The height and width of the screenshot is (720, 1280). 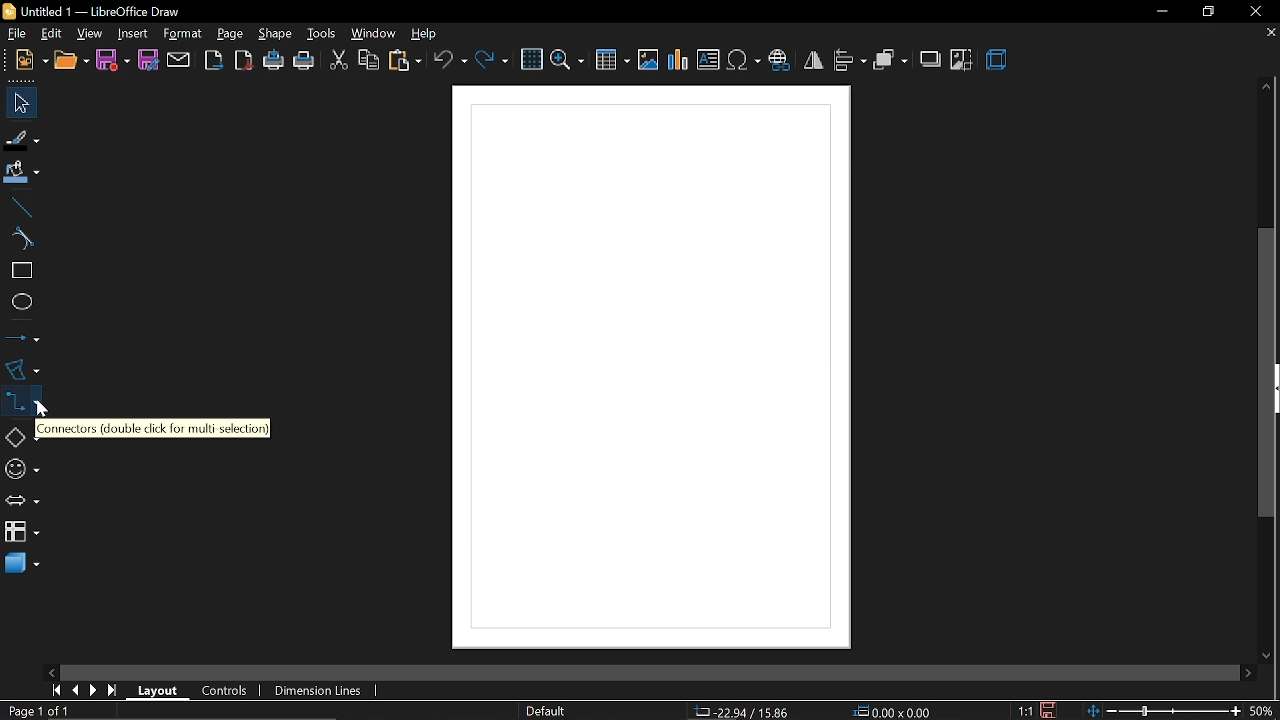 What do you see at coordinates (54, 691) in the screenshot?
I see `go to first page` at bounding box center [54, 691].